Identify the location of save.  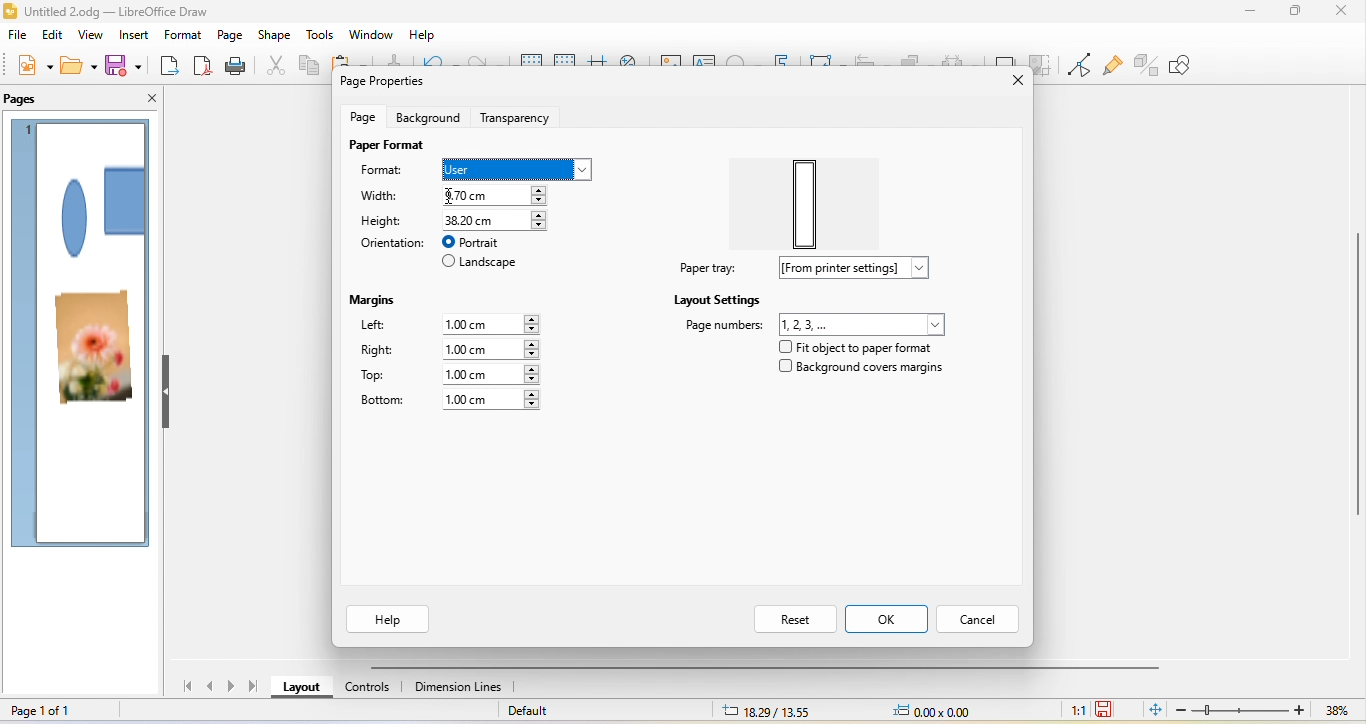
(124, 69).